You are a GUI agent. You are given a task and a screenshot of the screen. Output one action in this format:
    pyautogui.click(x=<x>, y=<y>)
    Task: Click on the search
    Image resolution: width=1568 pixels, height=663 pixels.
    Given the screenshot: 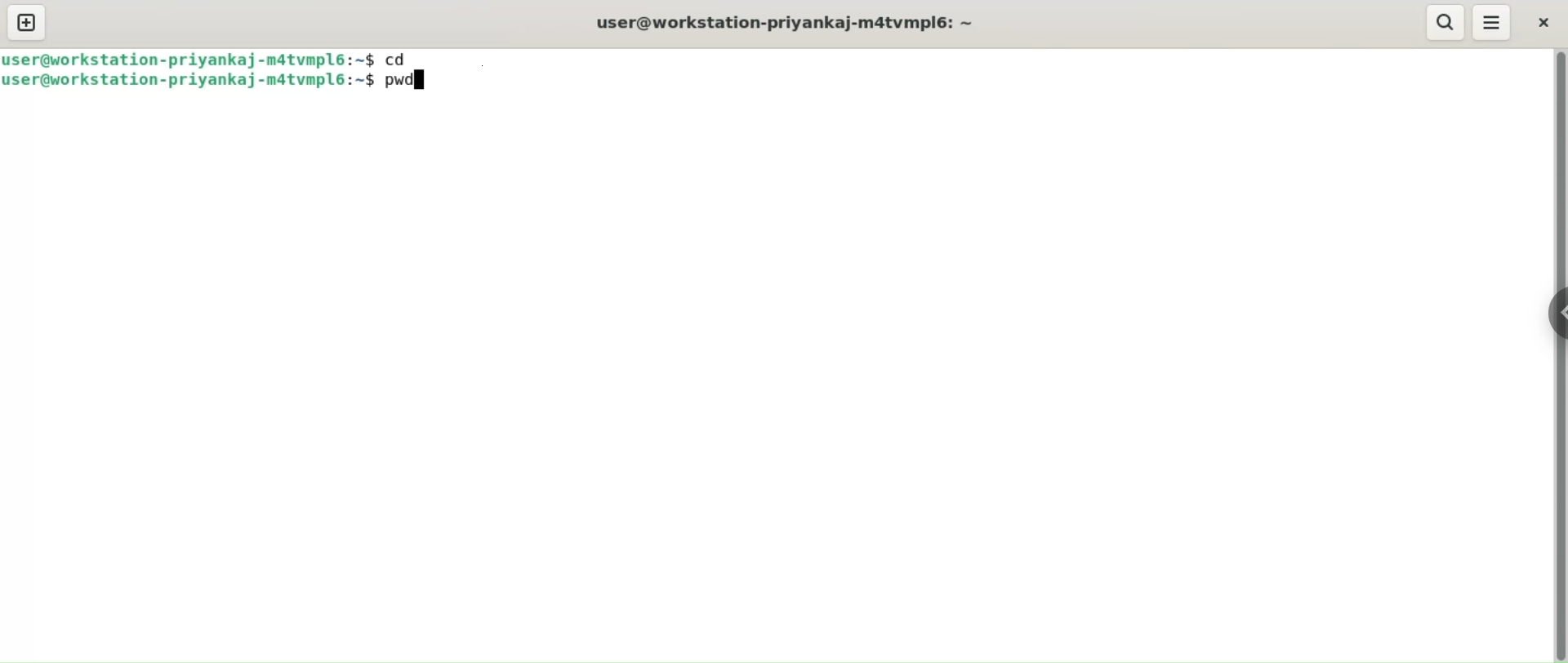 What is the action you would take?
    pyautogui.click(x=1446, y=23)
    